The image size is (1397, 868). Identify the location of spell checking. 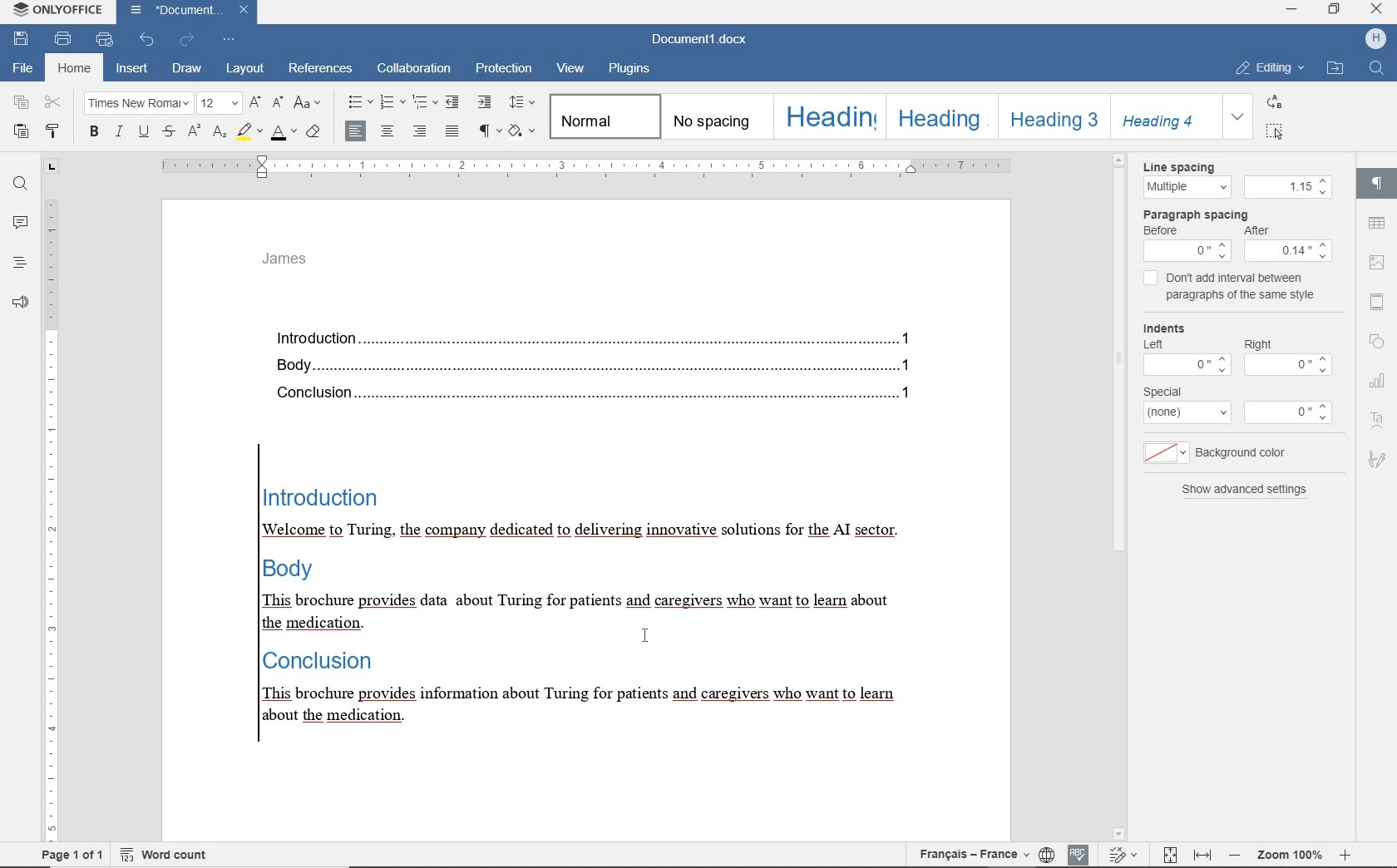
(1078, 853).